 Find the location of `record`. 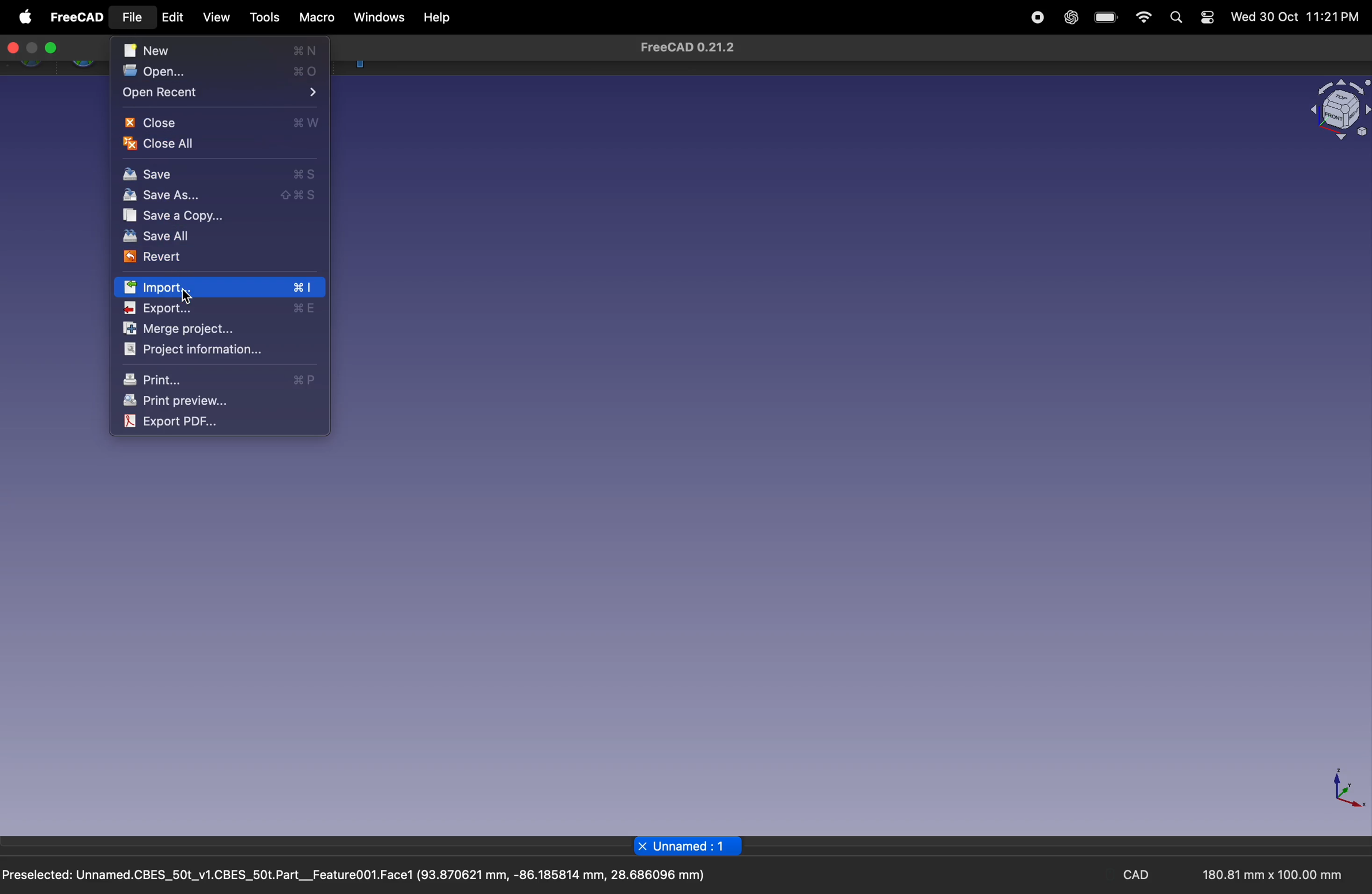

record is located at coordinates (1037, 18).